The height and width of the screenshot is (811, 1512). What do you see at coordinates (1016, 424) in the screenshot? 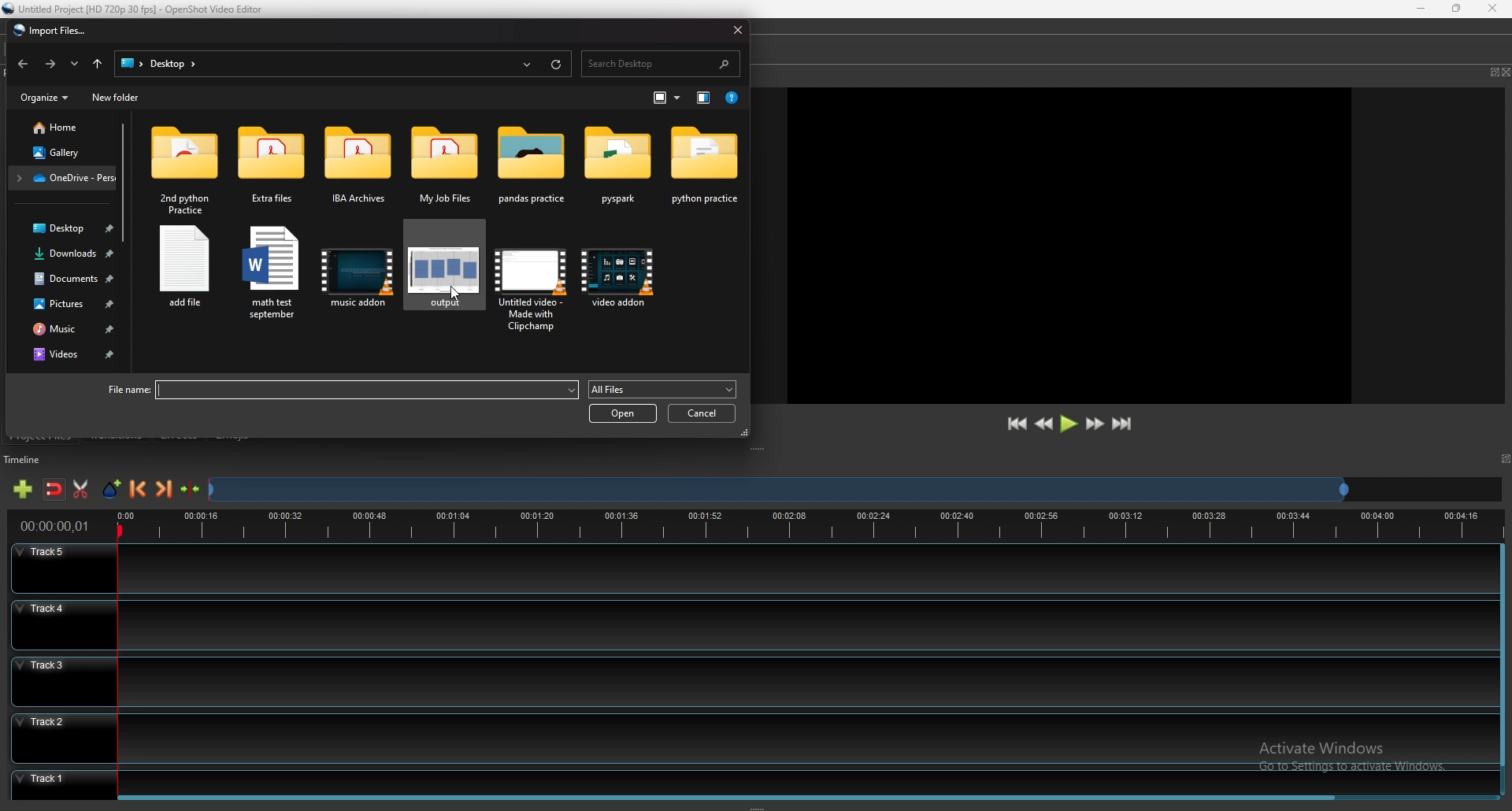
I see `jump to start` at bounding box center [1016, 424].